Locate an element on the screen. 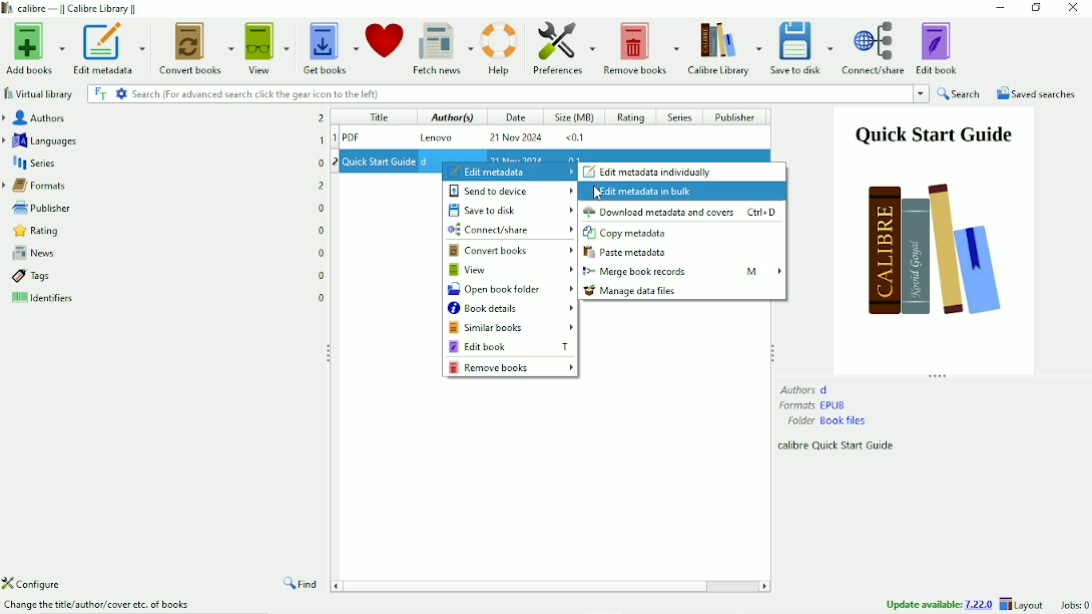 This screenshot has width=1092, height=614. Resize is located at coordinates (939, 376).